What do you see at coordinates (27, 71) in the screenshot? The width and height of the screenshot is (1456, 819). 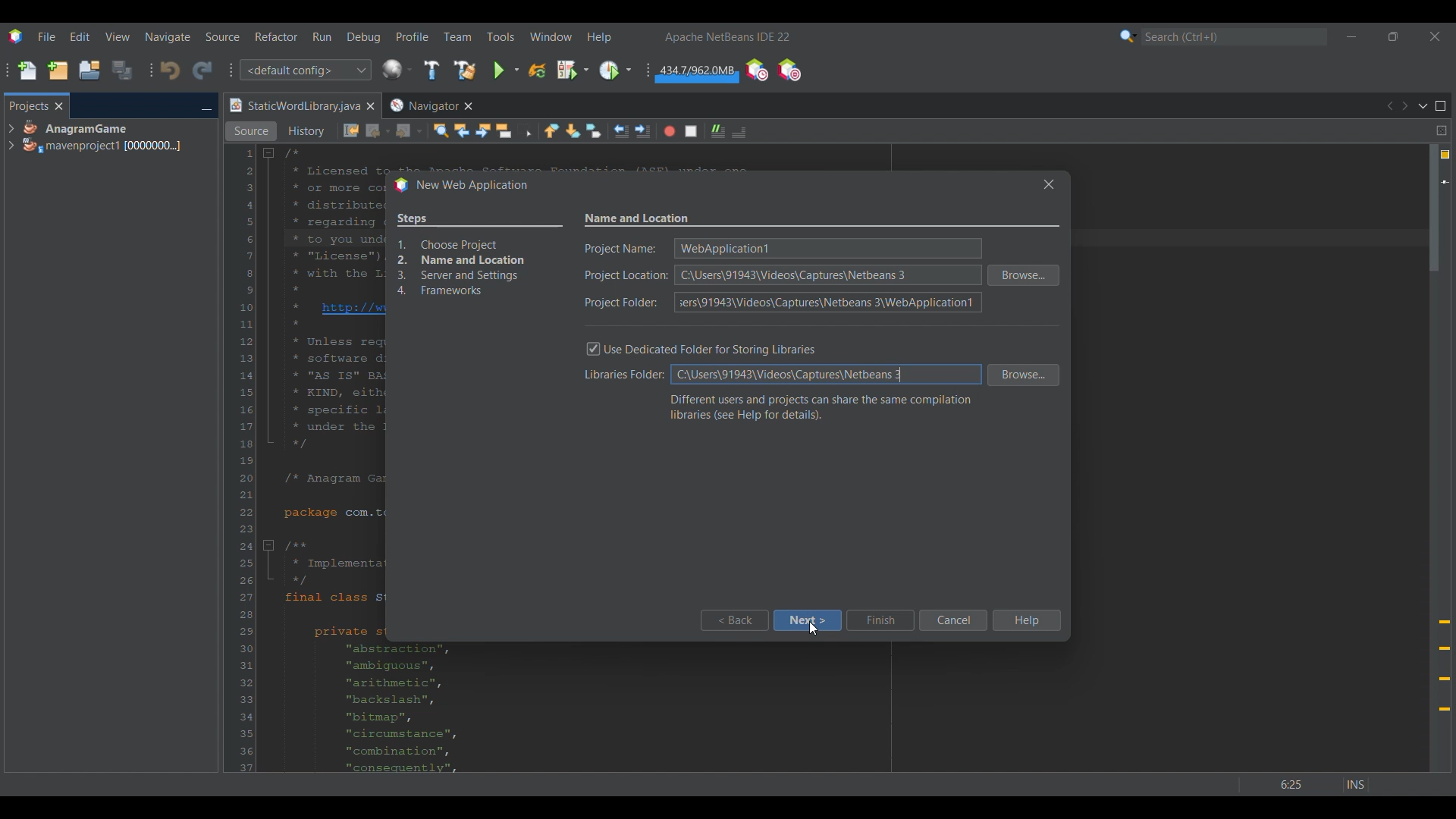 I see `New file` at bounding box center [27, 71].